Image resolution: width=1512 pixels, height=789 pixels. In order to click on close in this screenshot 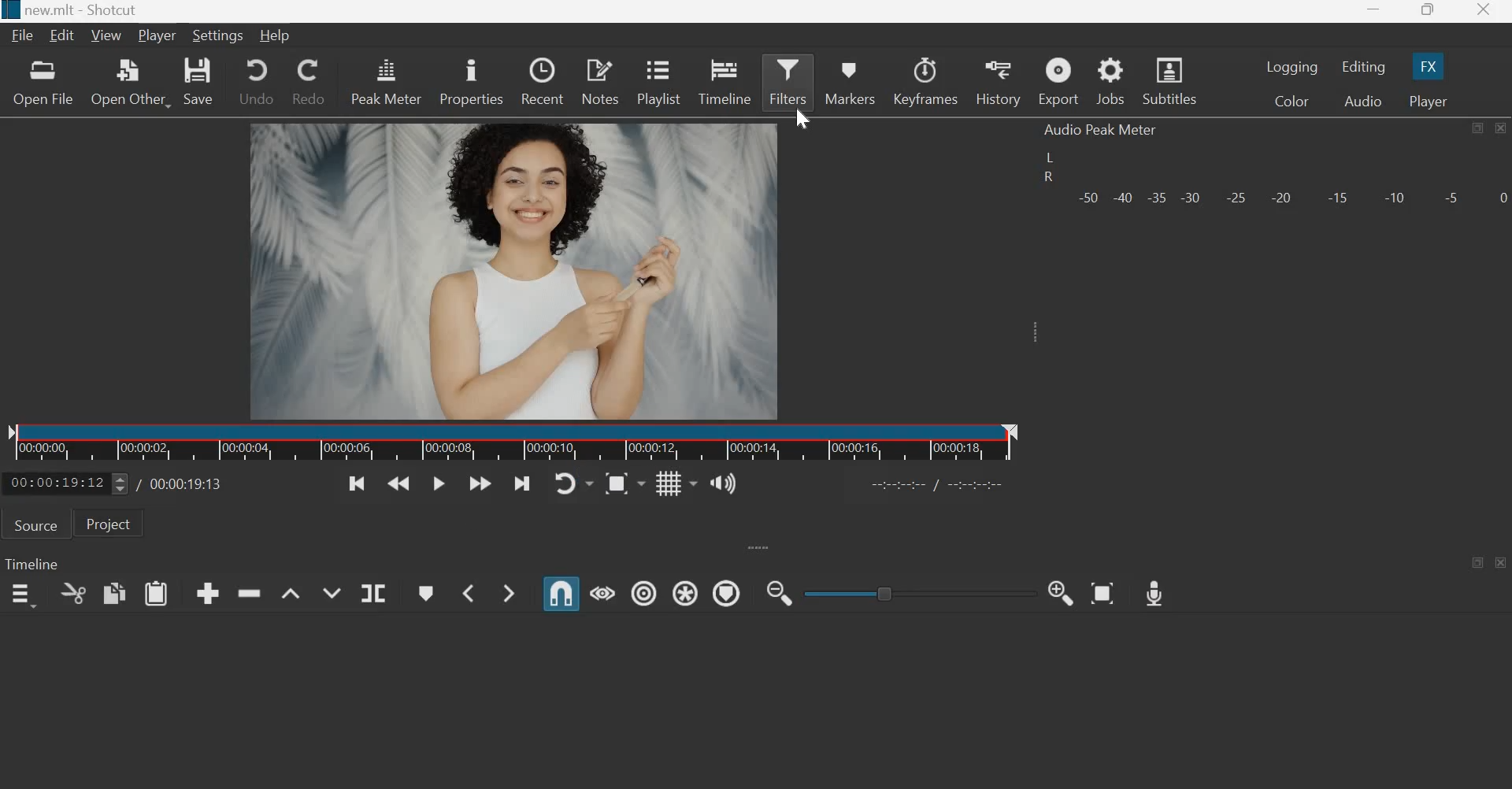, I will do `click(1482, 12)`.